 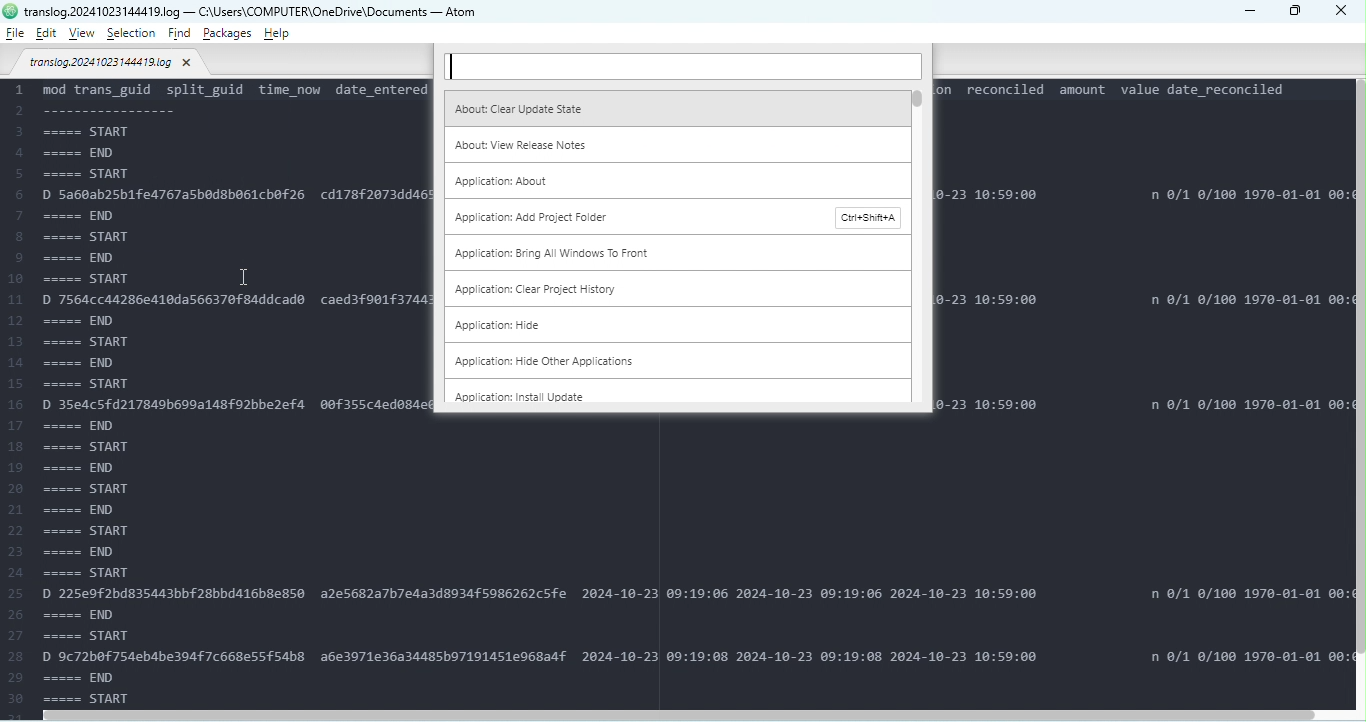 What do you see at coordinates (682, 67) in the screenshot?
I see `Search bar` at bounding box center [682, 67].